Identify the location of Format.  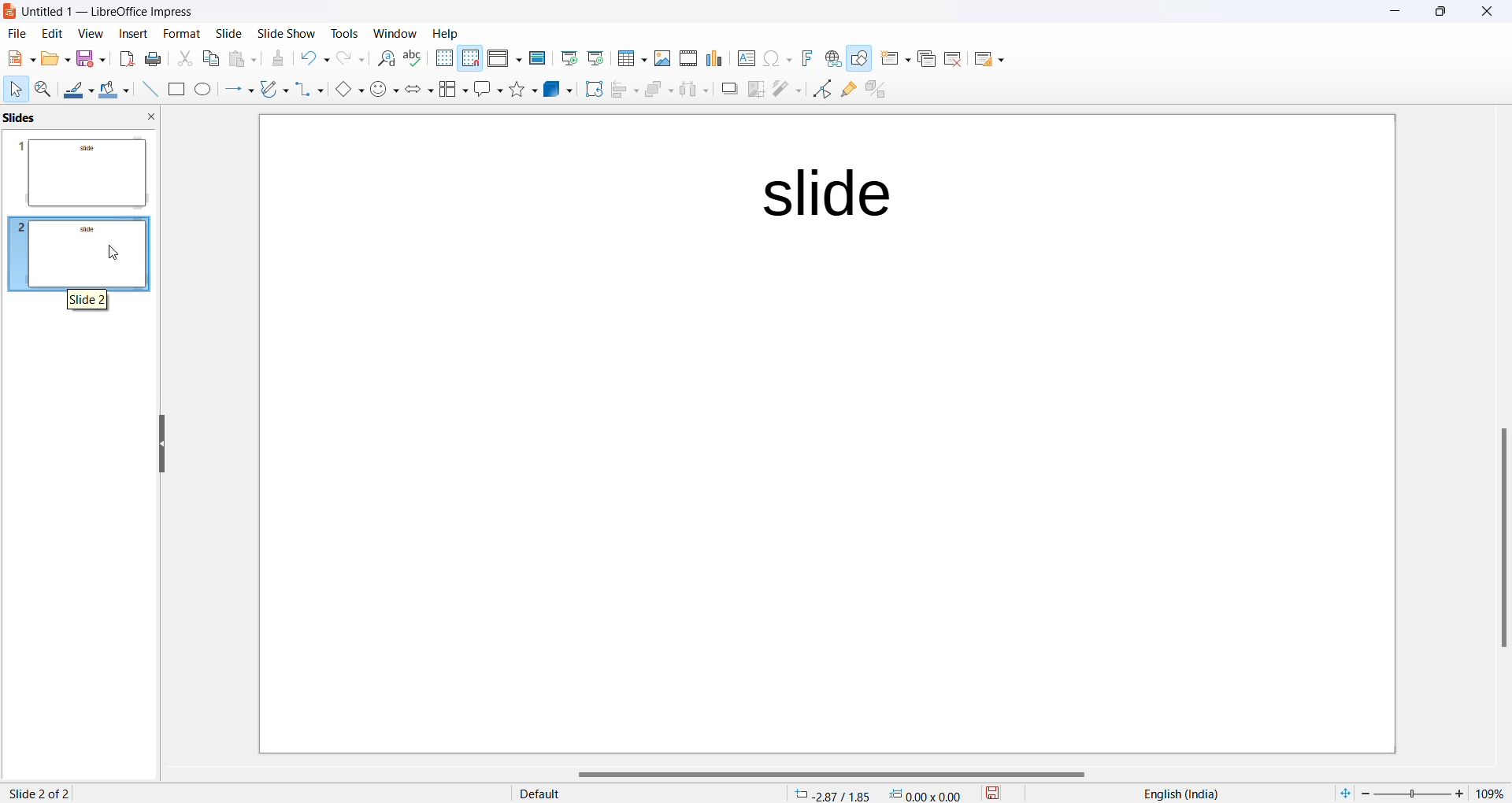
(177, 31).